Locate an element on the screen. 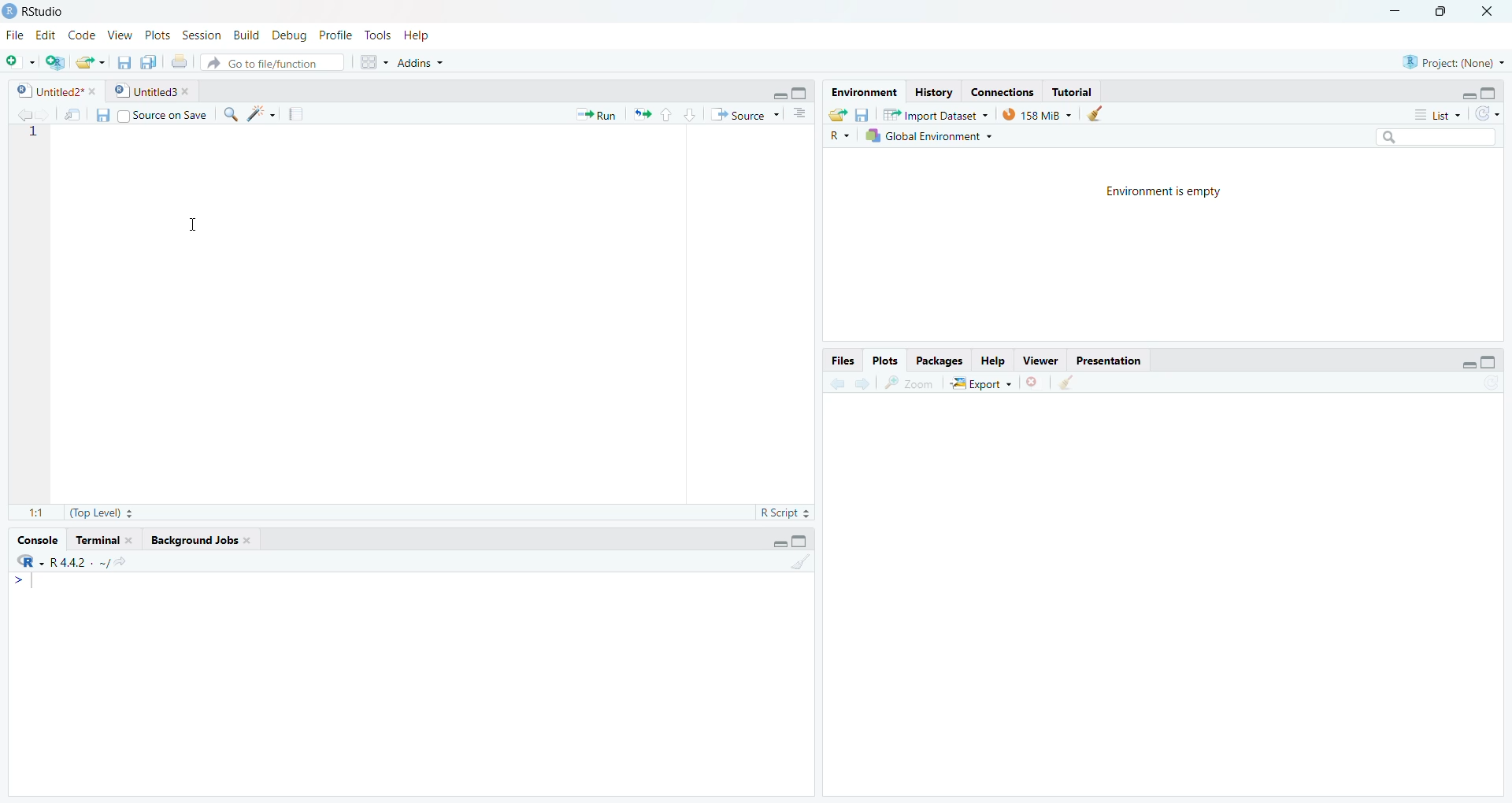 The image size is (1512, 803). create project is located at coordinates (50, 60).